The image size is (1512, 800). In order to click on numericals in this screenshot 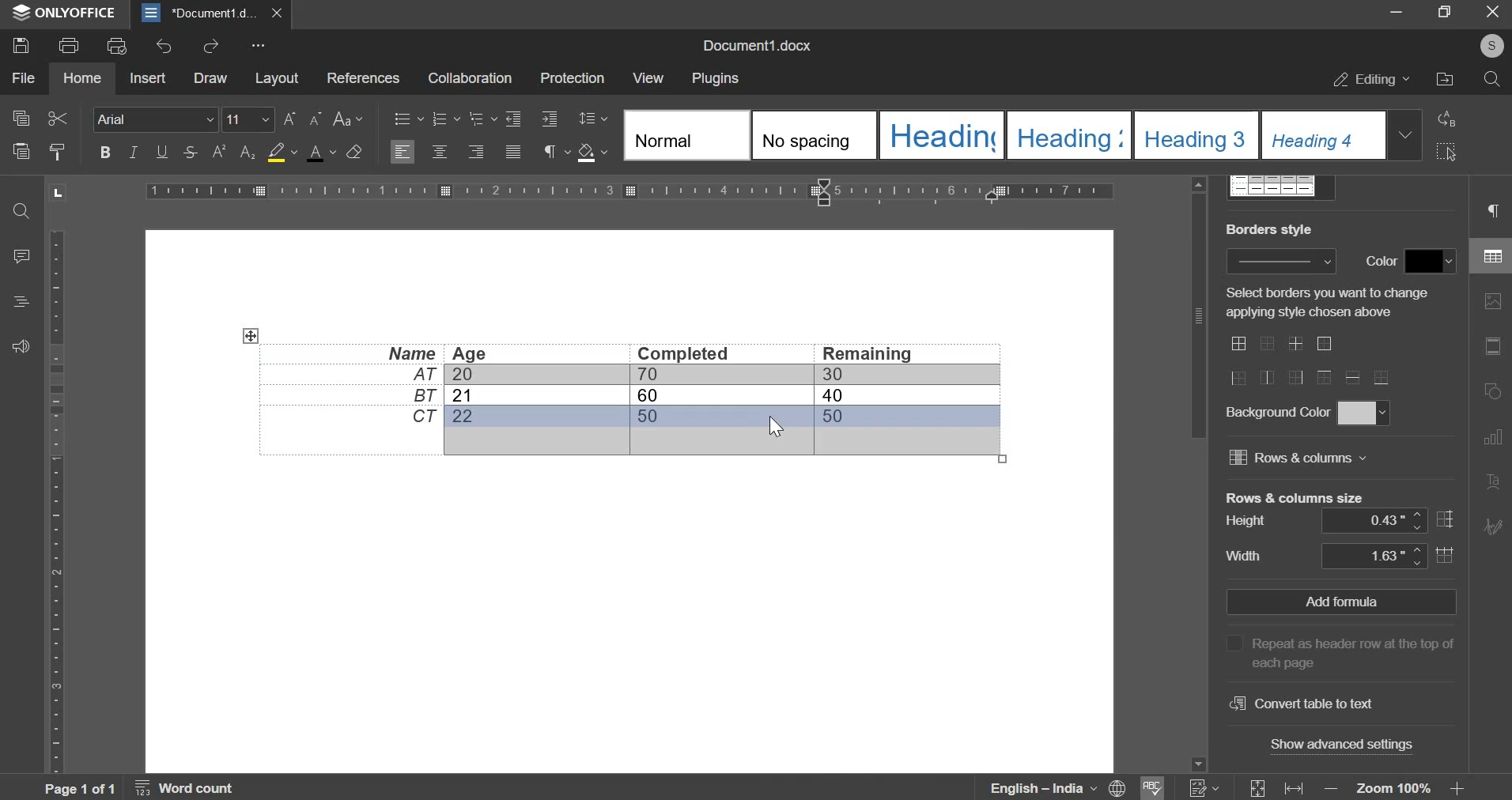, I will do `click(1206, 787)`.